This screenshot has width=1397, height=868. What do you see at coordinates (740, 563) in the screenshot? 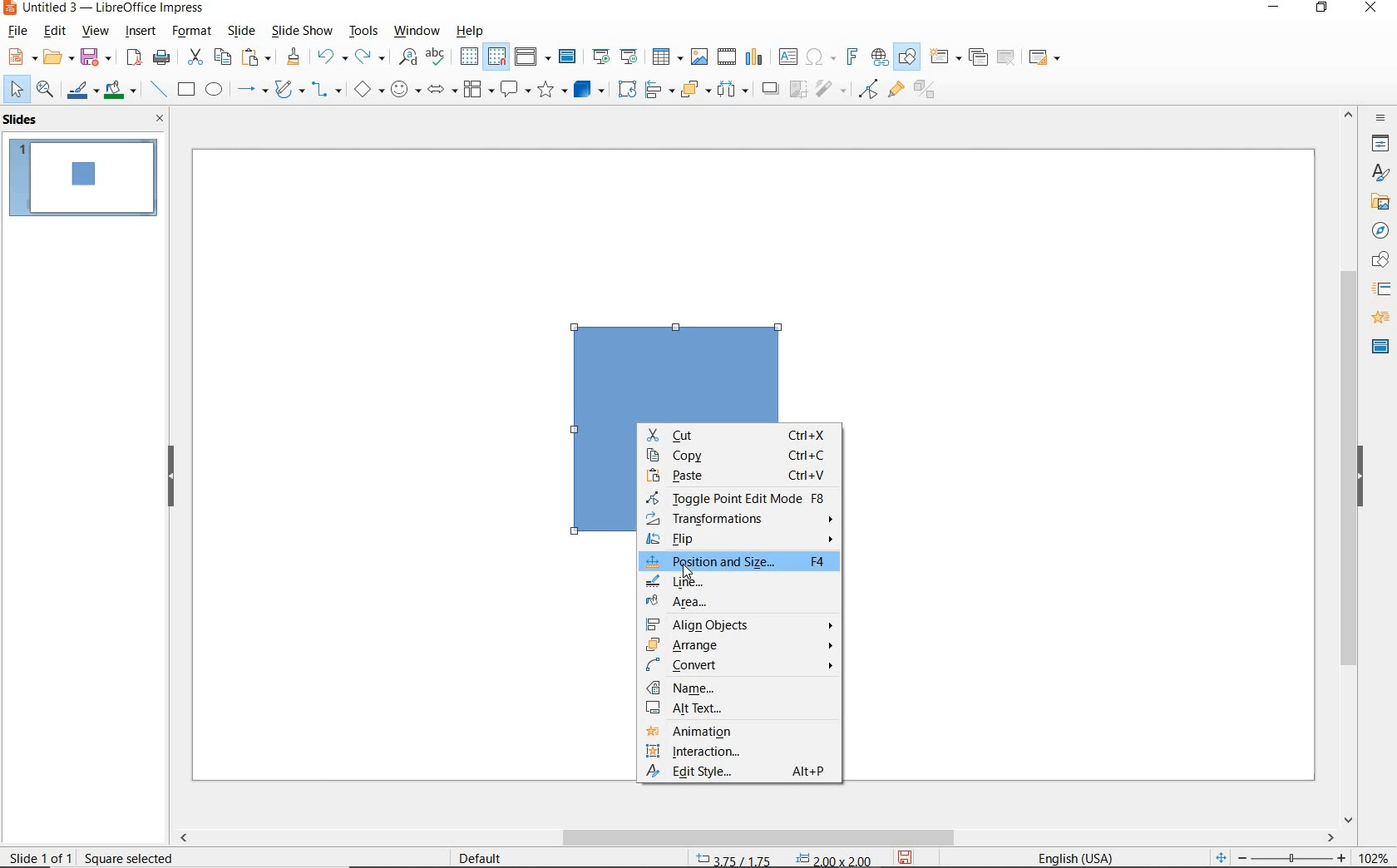
I see `POSITION AND SIZE` at bounding box center [740, 563].